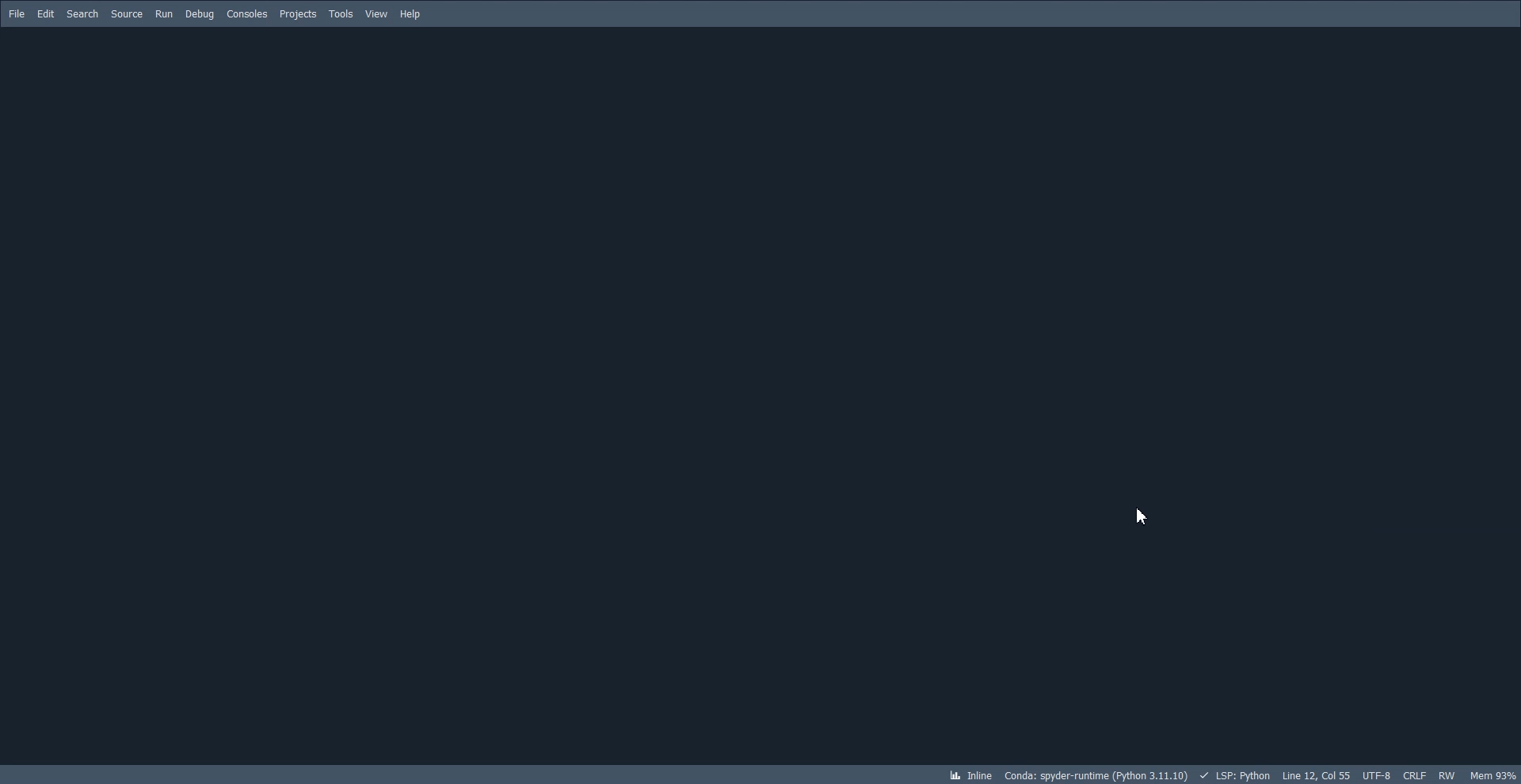  What do you see at coordinates (127, 14) in the screenshot?
I see `Source` at bounding box center [127, 14].